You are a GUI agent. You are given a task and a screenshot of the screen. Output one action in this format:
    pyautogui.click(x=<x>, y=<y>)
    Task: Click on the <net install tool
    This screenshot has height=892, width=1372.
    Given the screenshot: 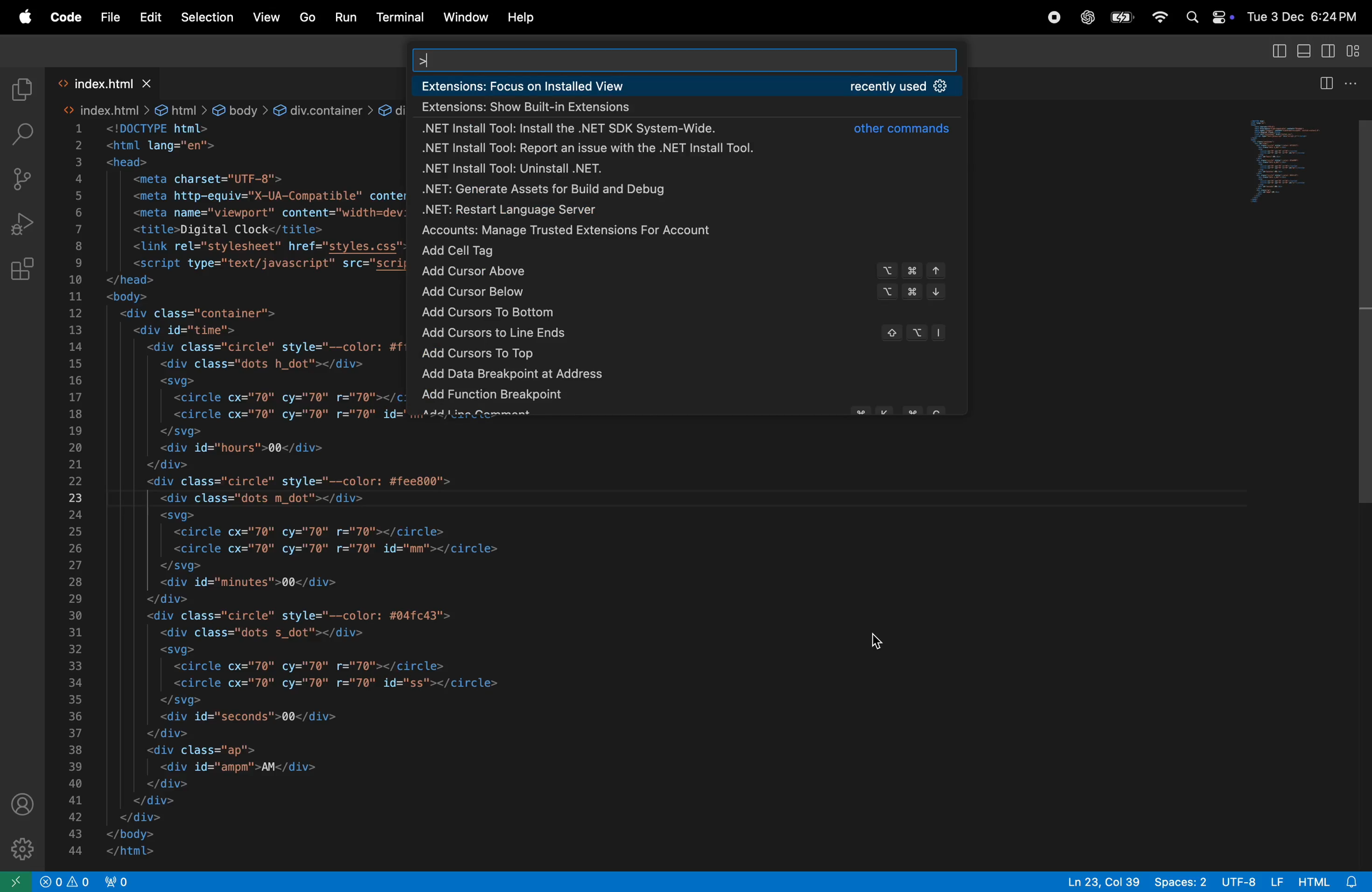 What is the action you would take?
    pyautogui.click(x=689, y=128)
    